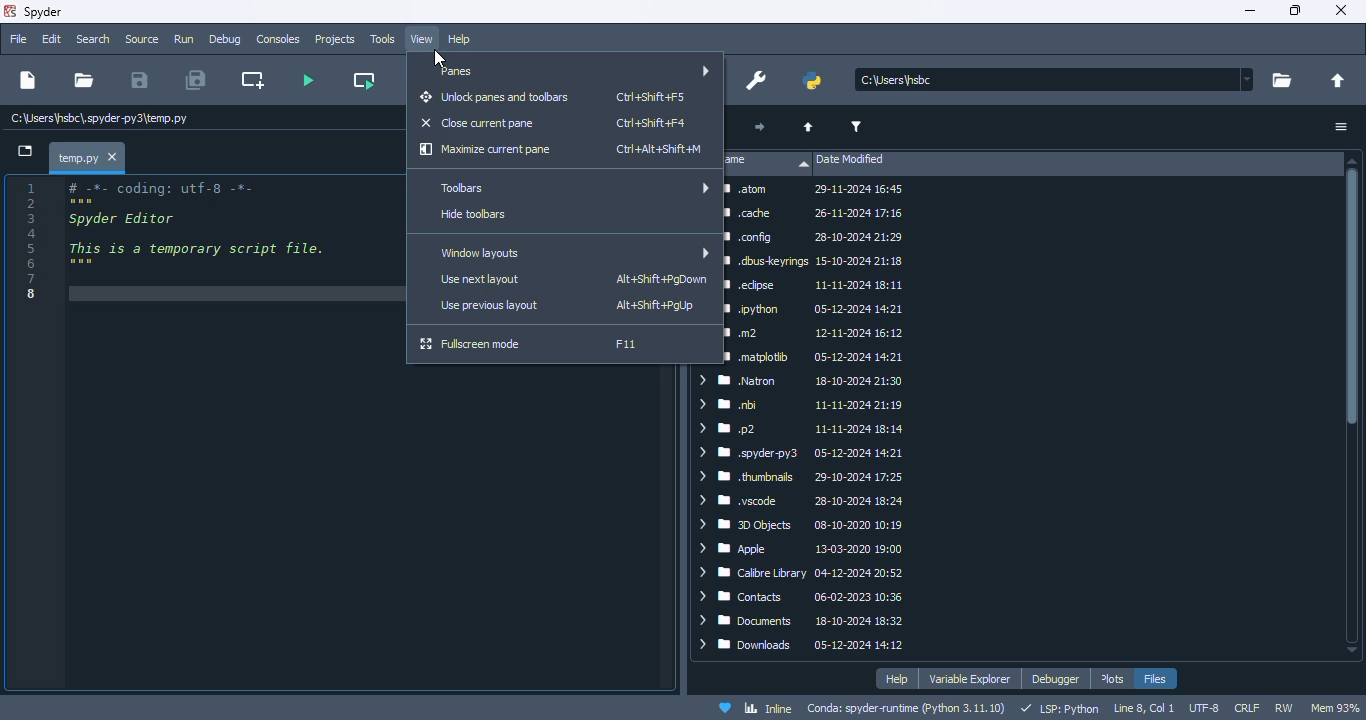 This screenshot has width=1366, height=720. What do you see at coordinates (806, 501) in the screenshot?
I see `.vscode` at bounding box center [806, 501].